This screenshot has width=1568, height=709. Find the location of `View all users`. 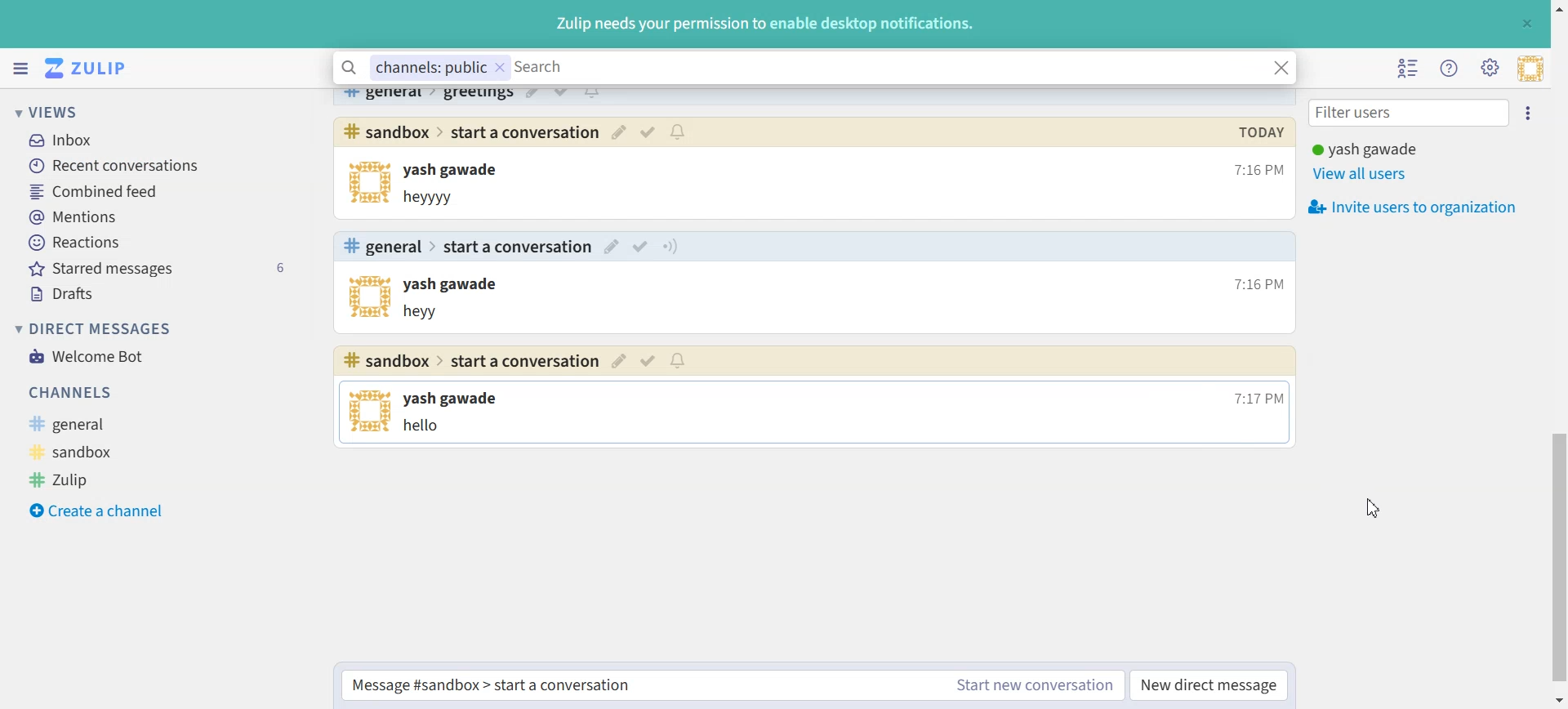

View all users is located at coordinates (1370, 174).